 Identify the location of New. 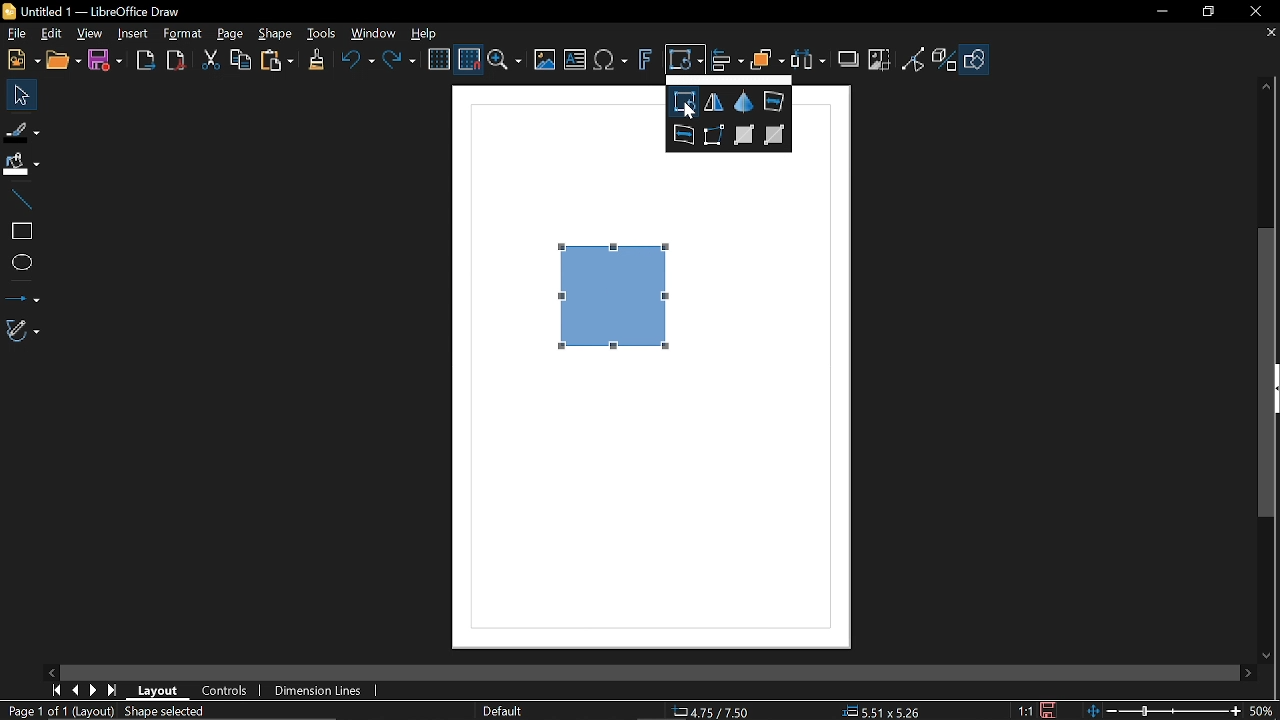
(22, 59).